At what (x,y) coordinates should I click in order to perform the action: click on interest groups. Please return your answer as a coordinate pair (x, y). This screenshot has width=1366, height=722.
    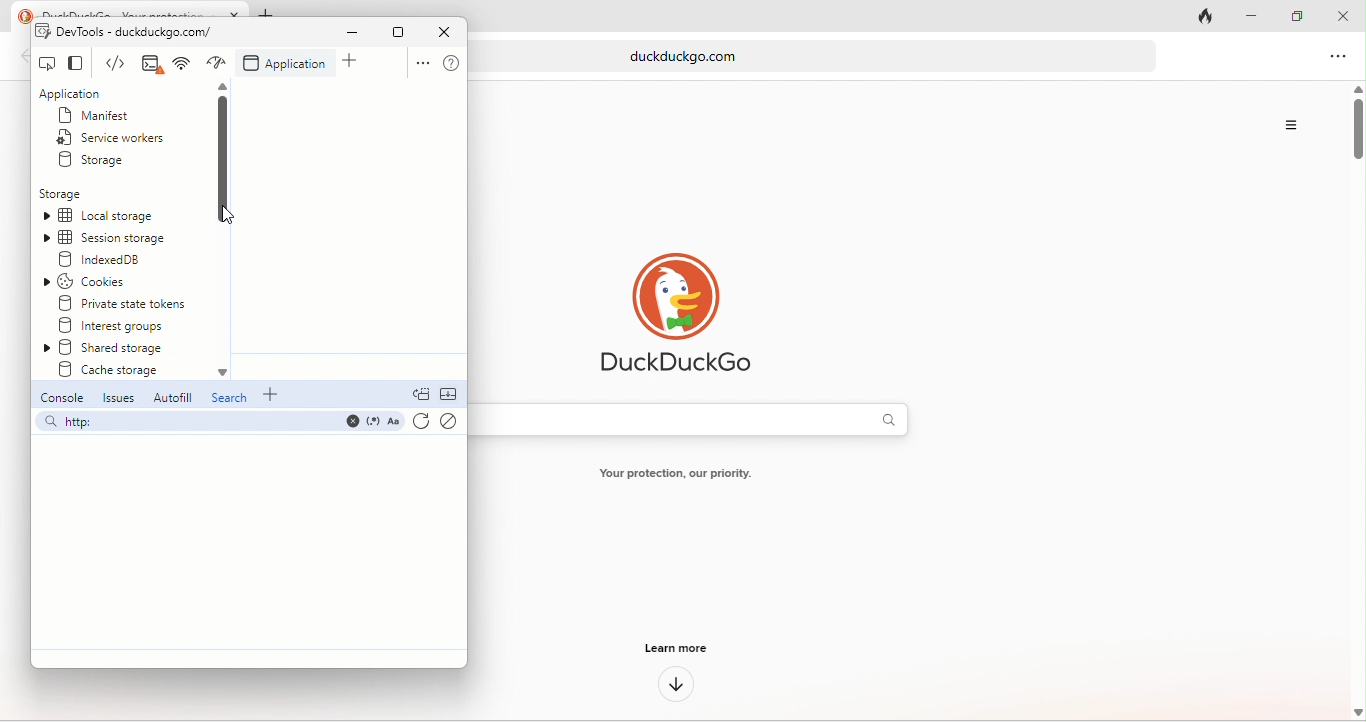
    Looking at the image, I should click on (116, 326).